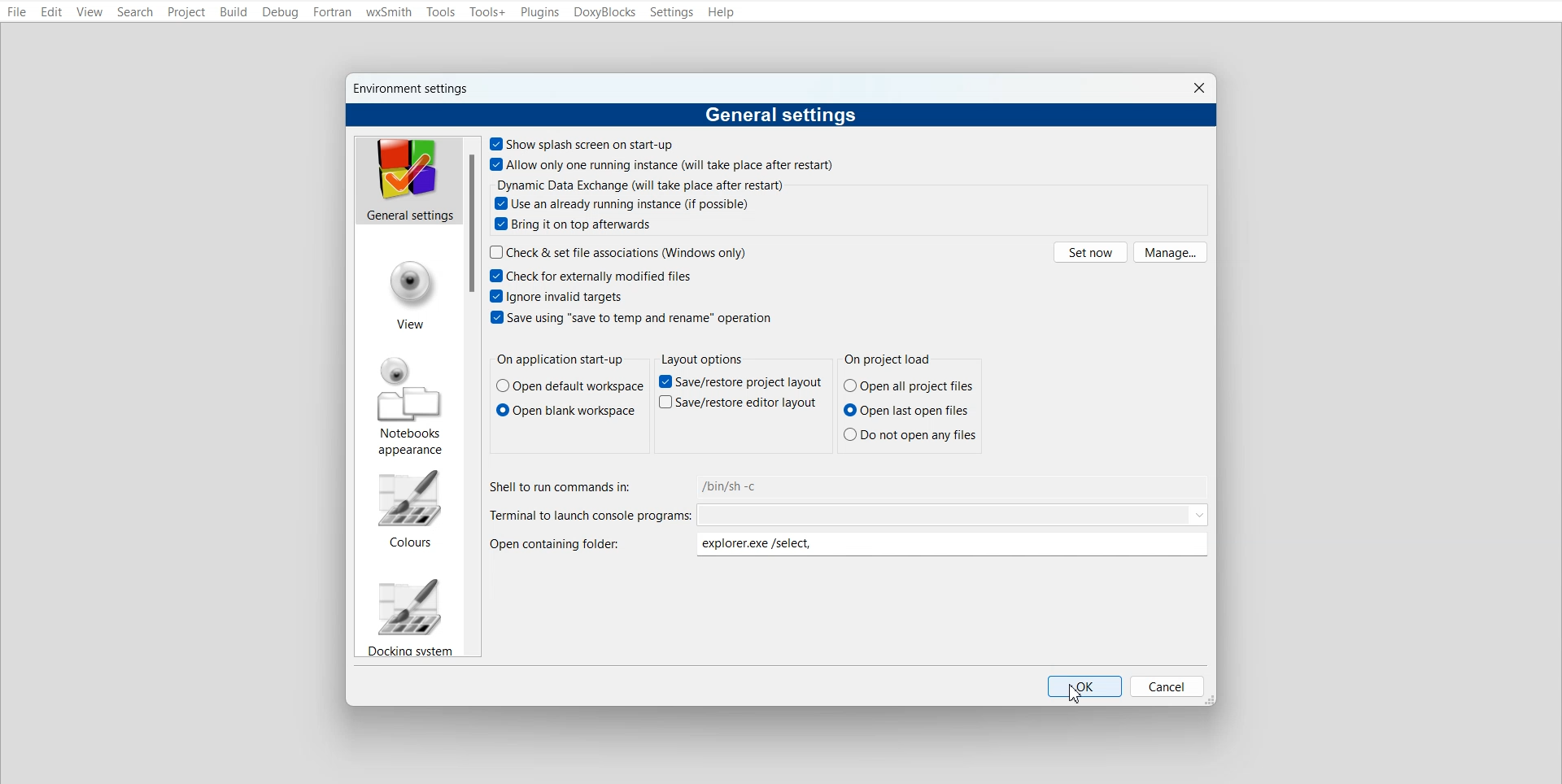 Image resolution: width=1562 pixels, height=784 pixels. Describe the element at coordinates (414, 89) in the screenshot. I see `Text 1` at that location.